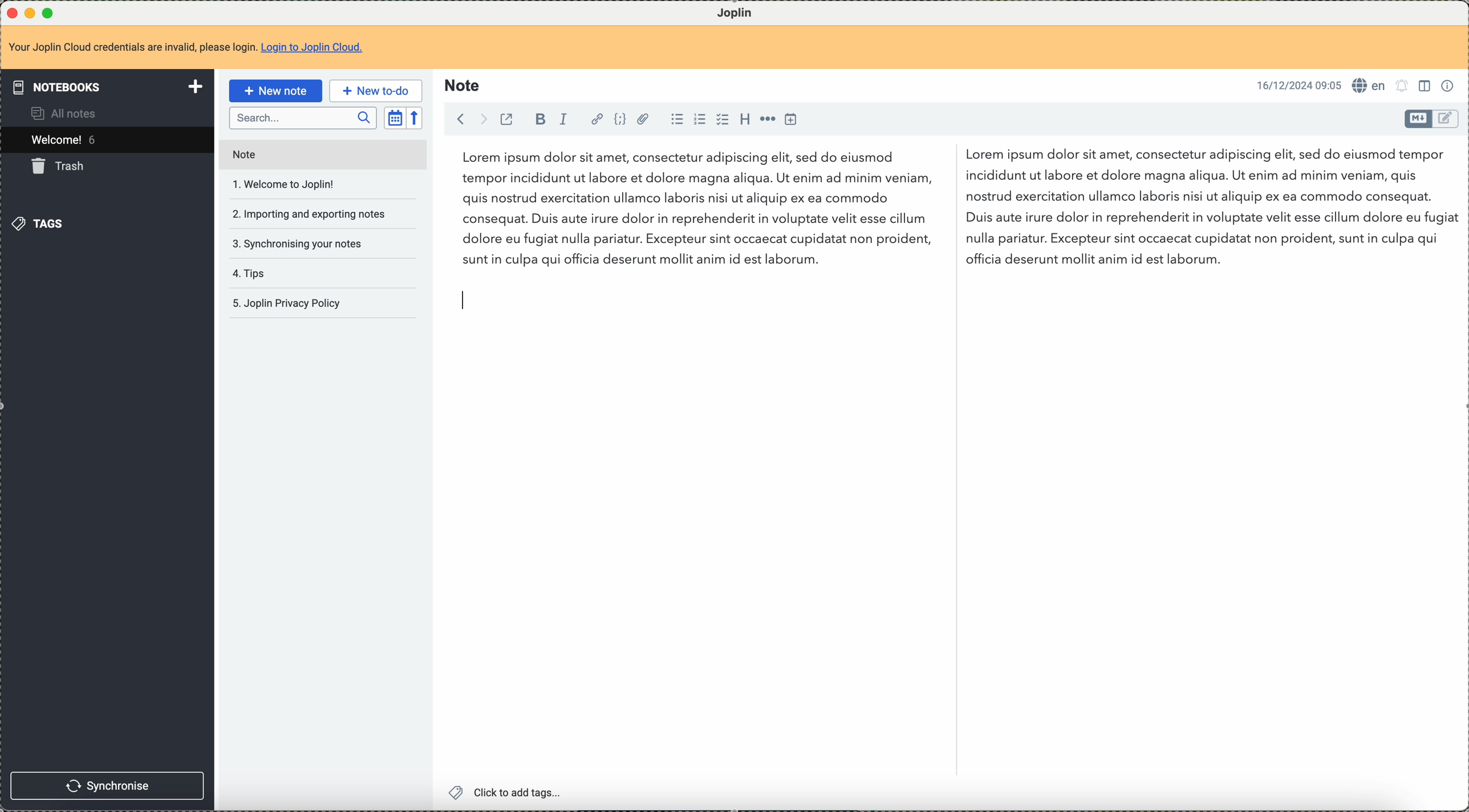  Describe the element at coordinates (108, 786) in the screenshot. I see `synchronise` at that location.